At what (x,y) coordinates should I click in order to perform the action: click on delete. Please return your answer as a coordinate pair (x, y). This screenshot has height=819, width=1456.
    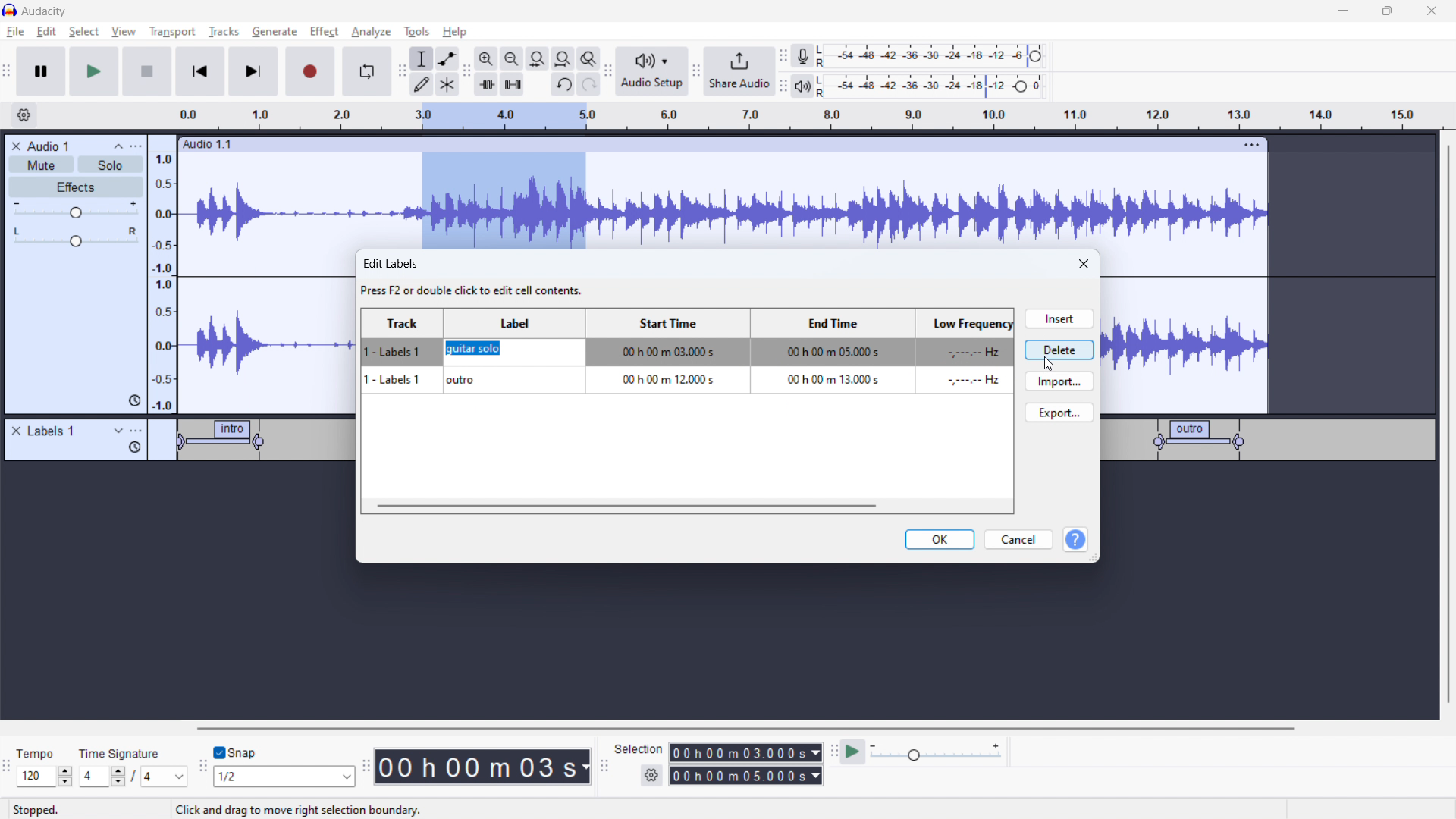
    Looking at the image, I should click on (1059, 349).